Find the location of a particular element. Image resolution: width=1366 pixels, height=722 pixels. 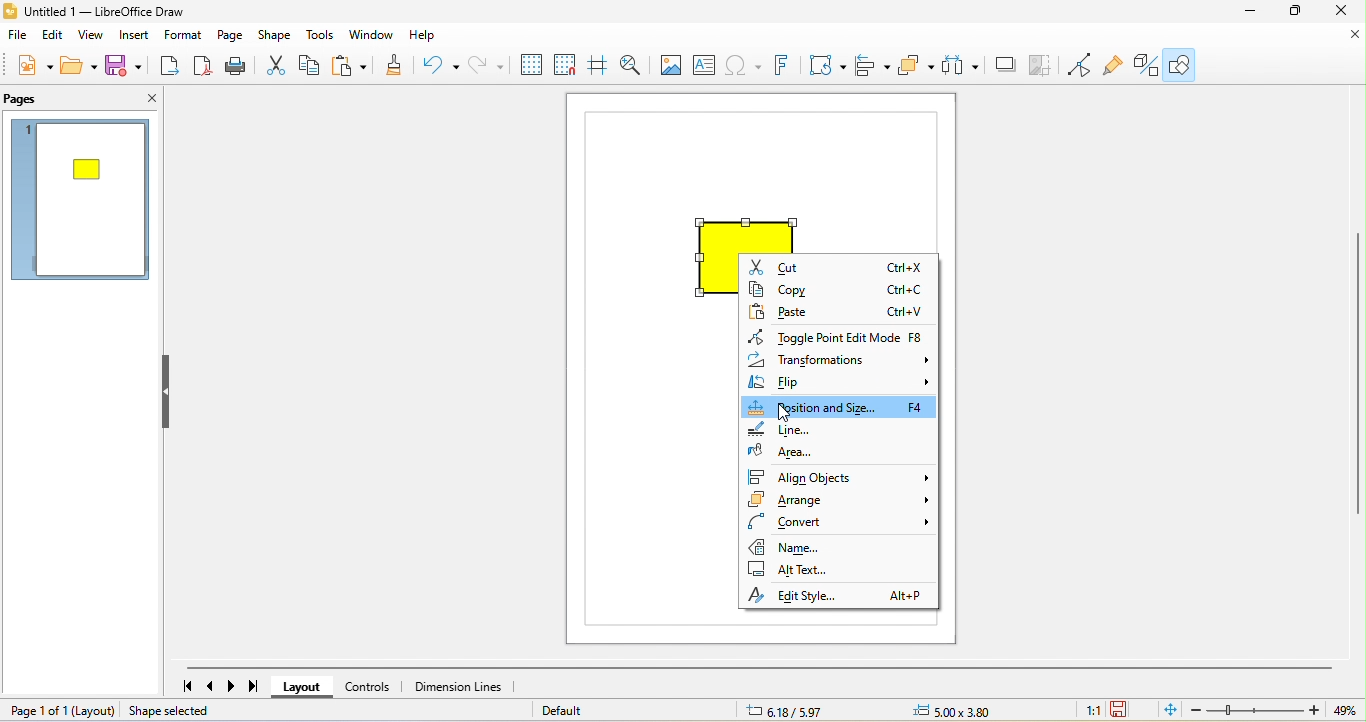

fit page to current window is located at coordinates (1168, 710).